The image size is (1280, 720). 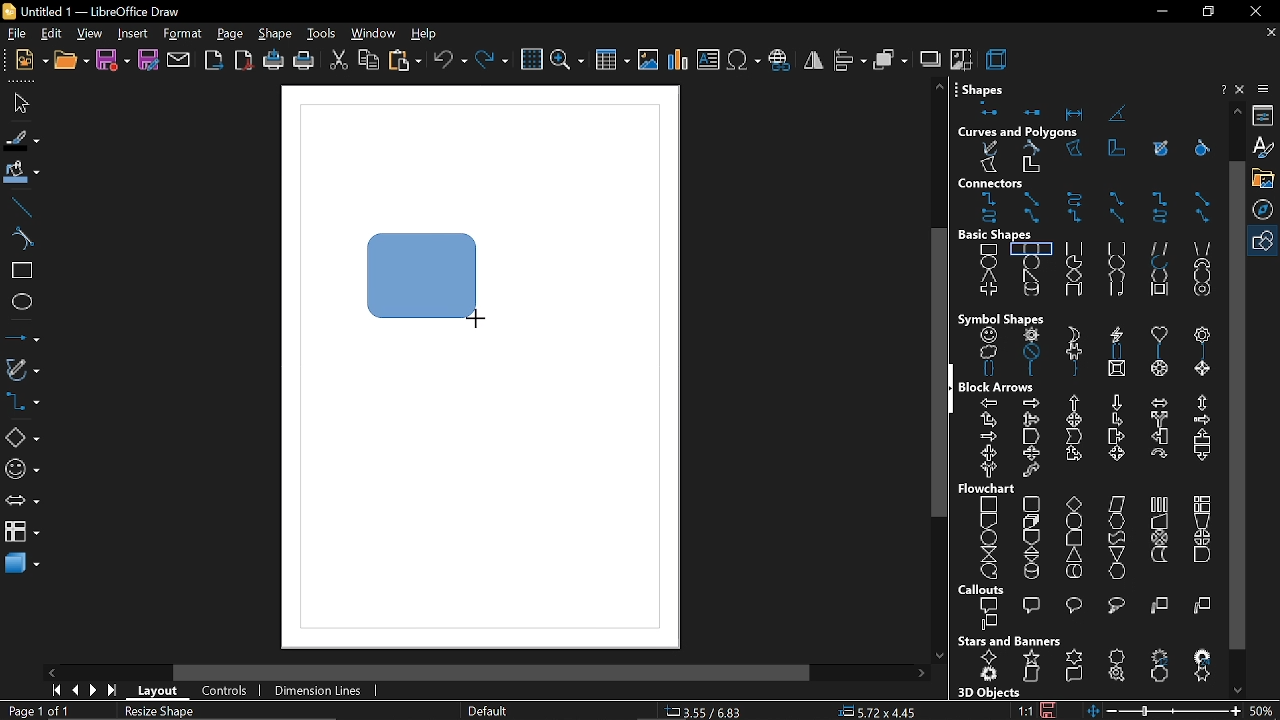 What do you see at coordinates (998, 58) in the screenshot?
I see `3d effect` at bounding box center [998, 58].